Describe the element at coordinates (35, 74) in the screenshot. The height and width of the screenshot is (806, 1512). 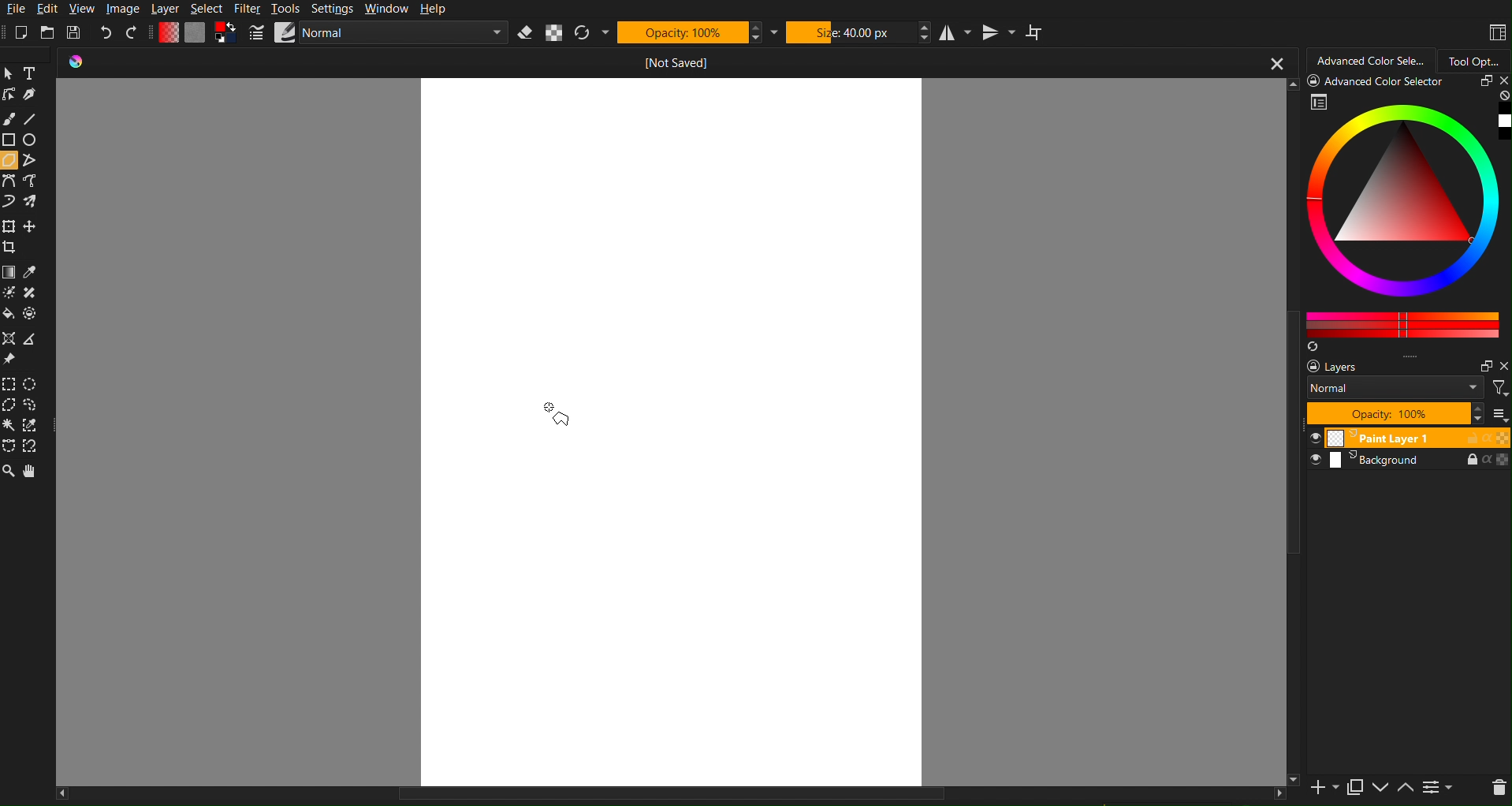
I see `Text` at that location.